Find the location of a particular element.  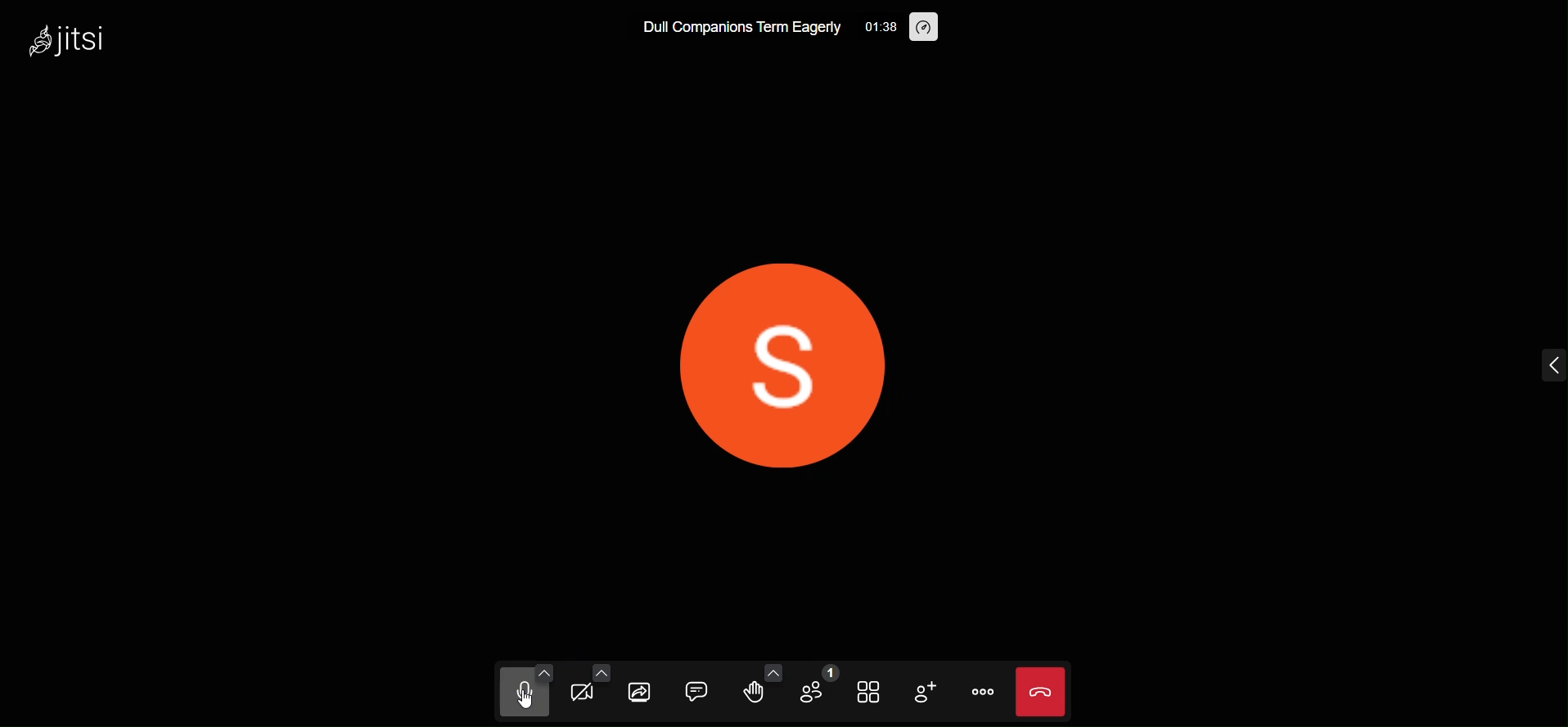

meeting title is located at coordinates (741, 31).